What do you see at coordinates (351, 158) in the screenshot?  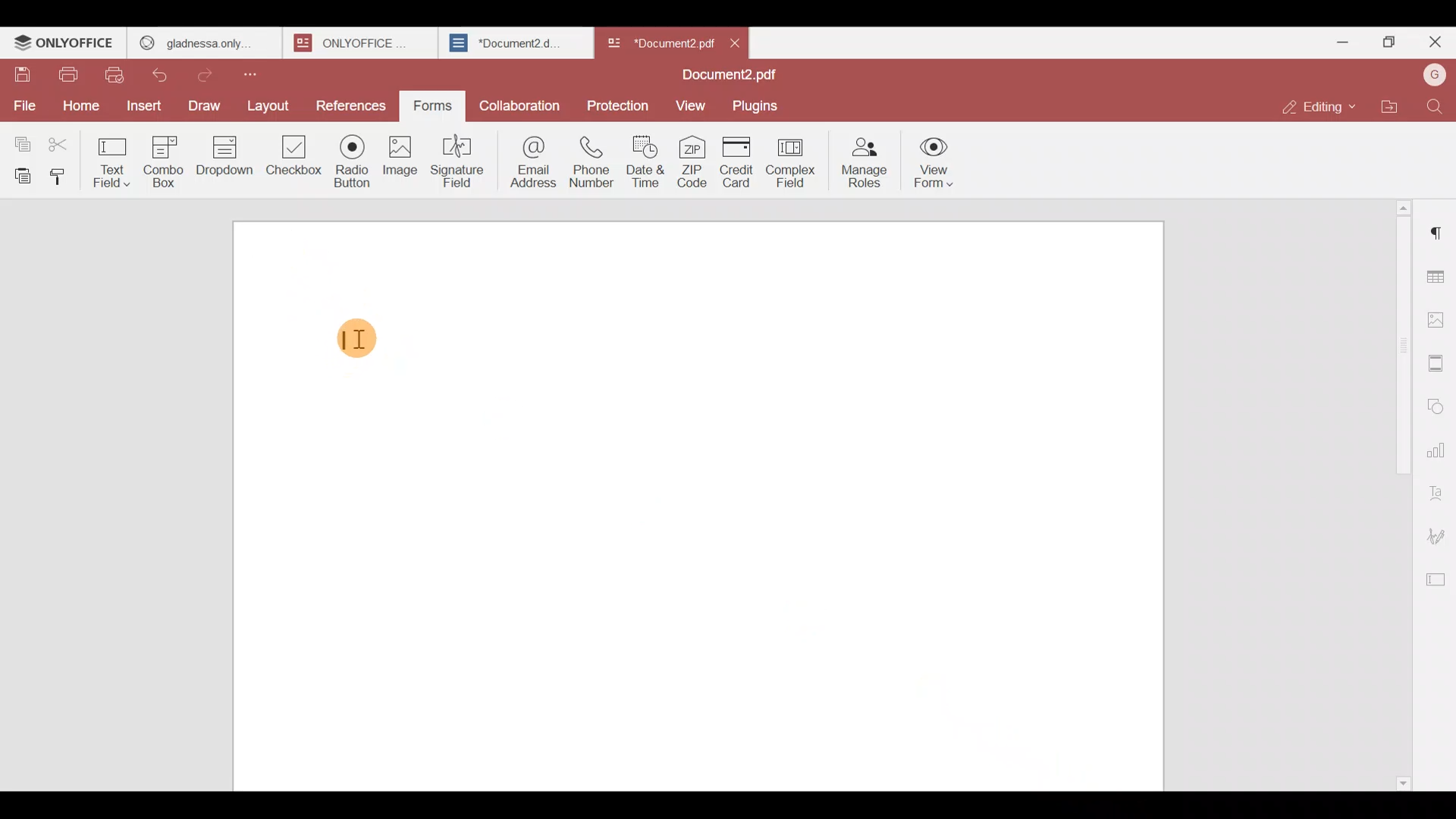 I see `Radio` at bounding box center [351, 158].